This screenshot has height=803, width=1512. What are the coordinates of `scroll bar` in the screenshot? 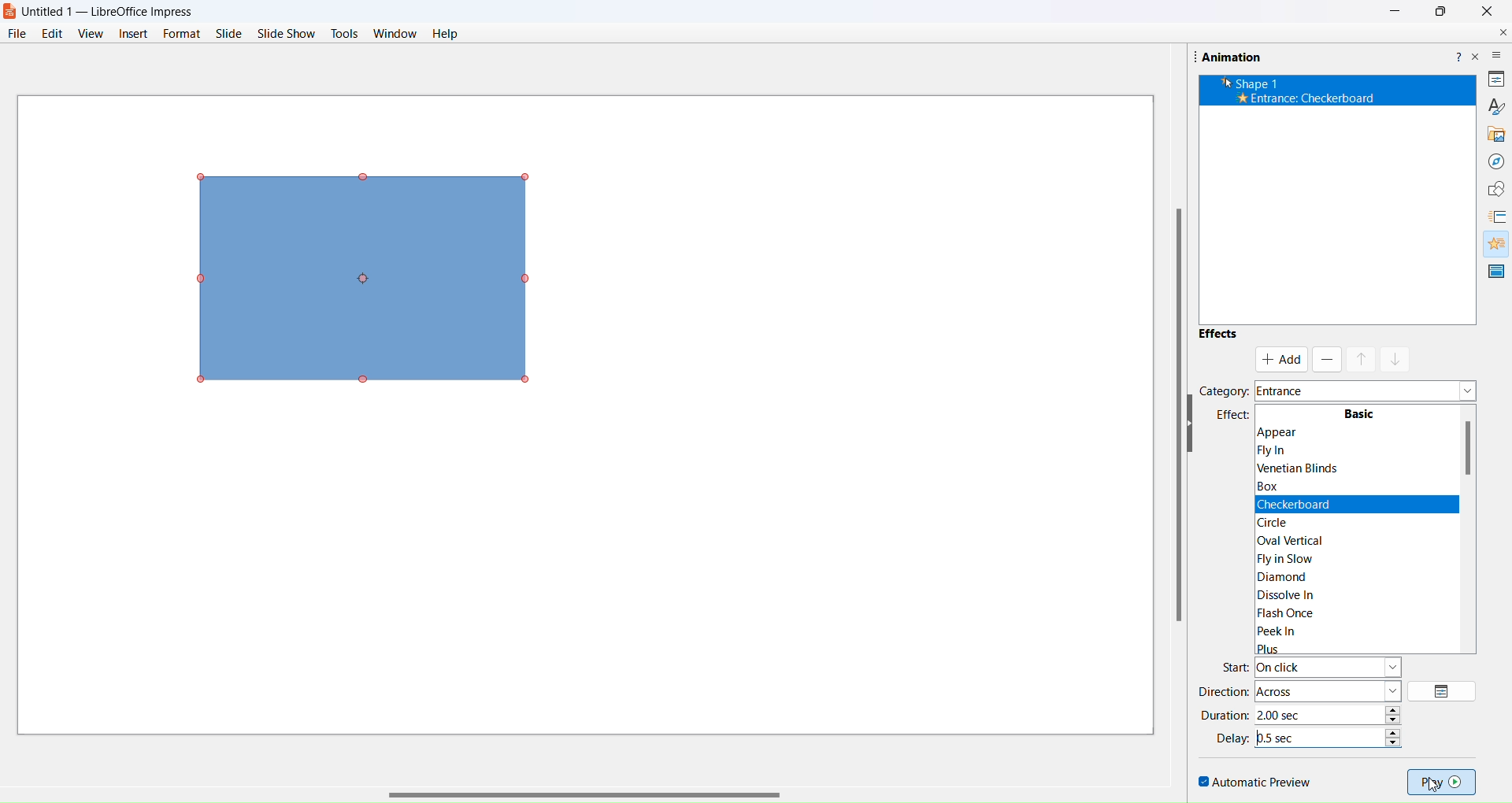 It's located at (1167, 419).